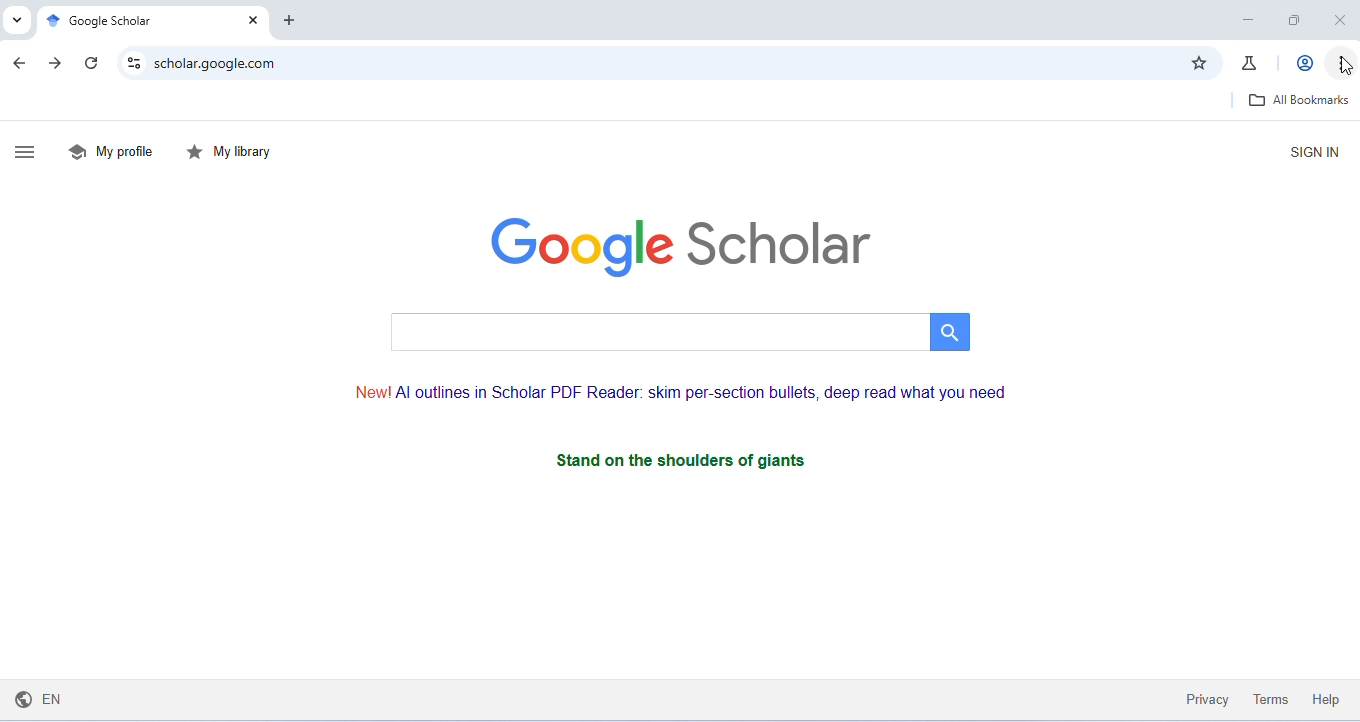 The height and width of the screenshot is (722, 1360). What do you see at coordinates (1336, 20) in the screenshot?
I see `close` at bounding box center [1336, 20].